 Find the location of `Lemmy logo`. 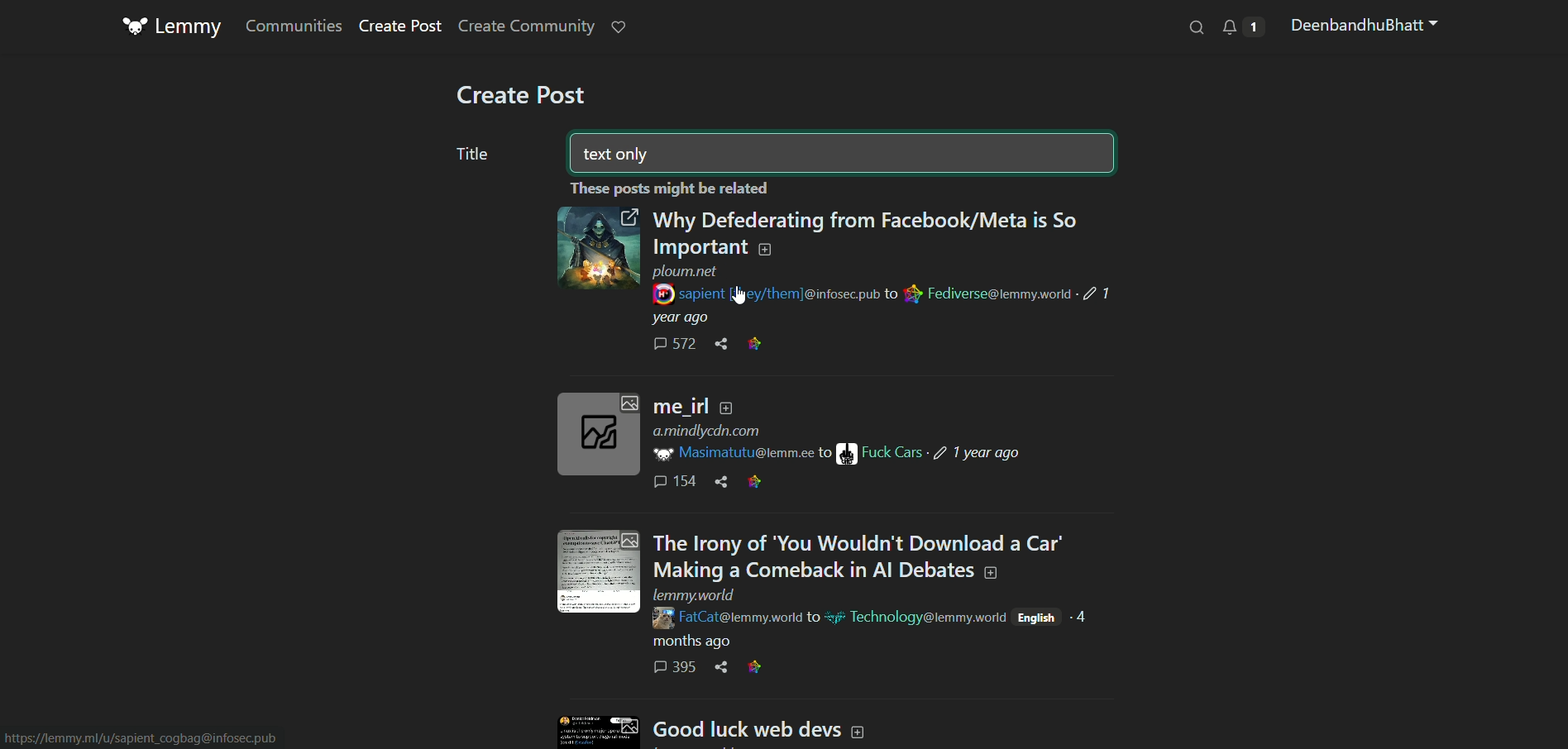

Lemmy logo is located at coordinates (662, 455).